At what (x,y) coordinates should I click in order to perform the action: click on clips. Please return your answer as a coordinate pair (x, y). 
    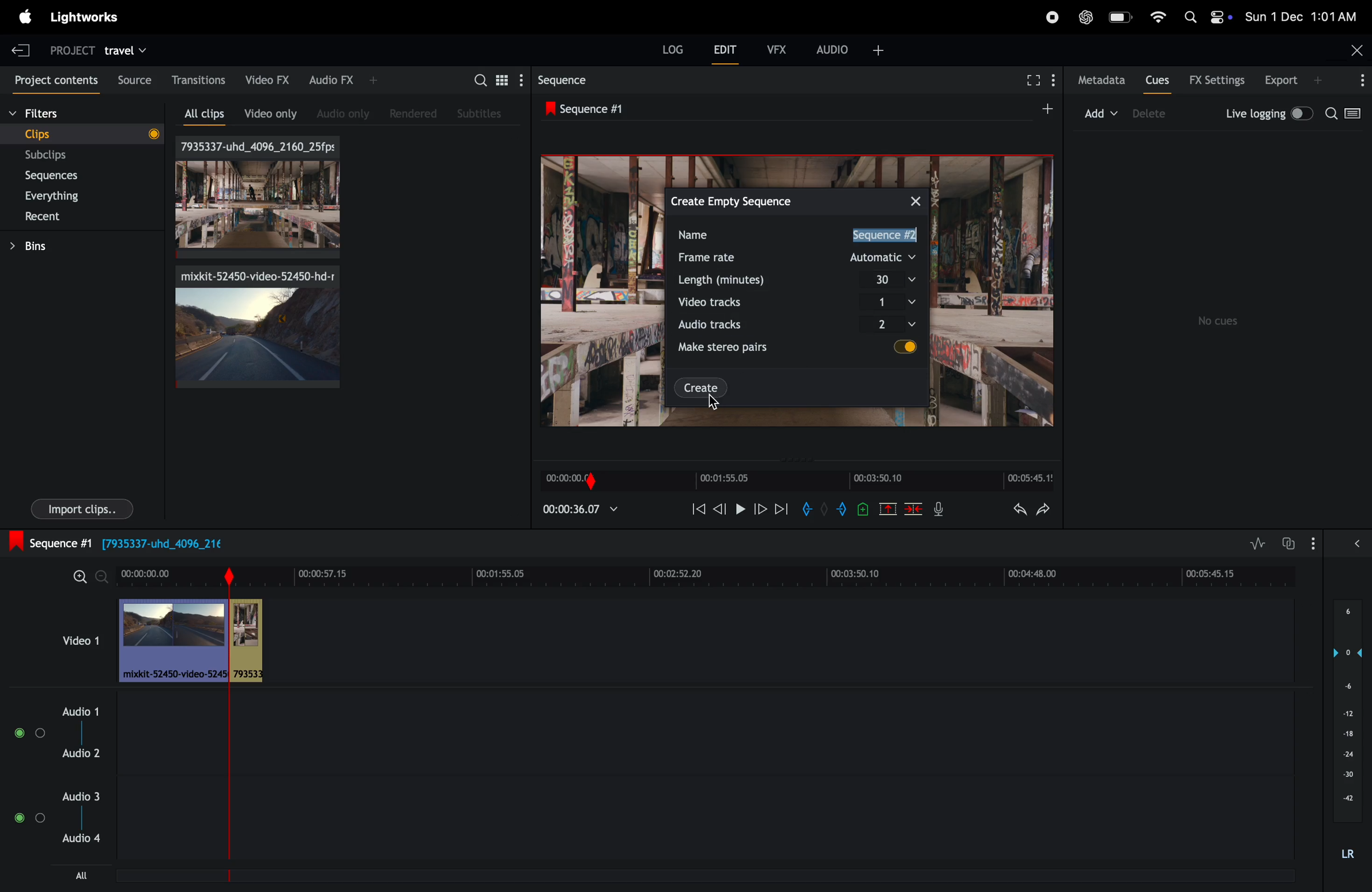
    Looking at the image, I should click on (85, 134).